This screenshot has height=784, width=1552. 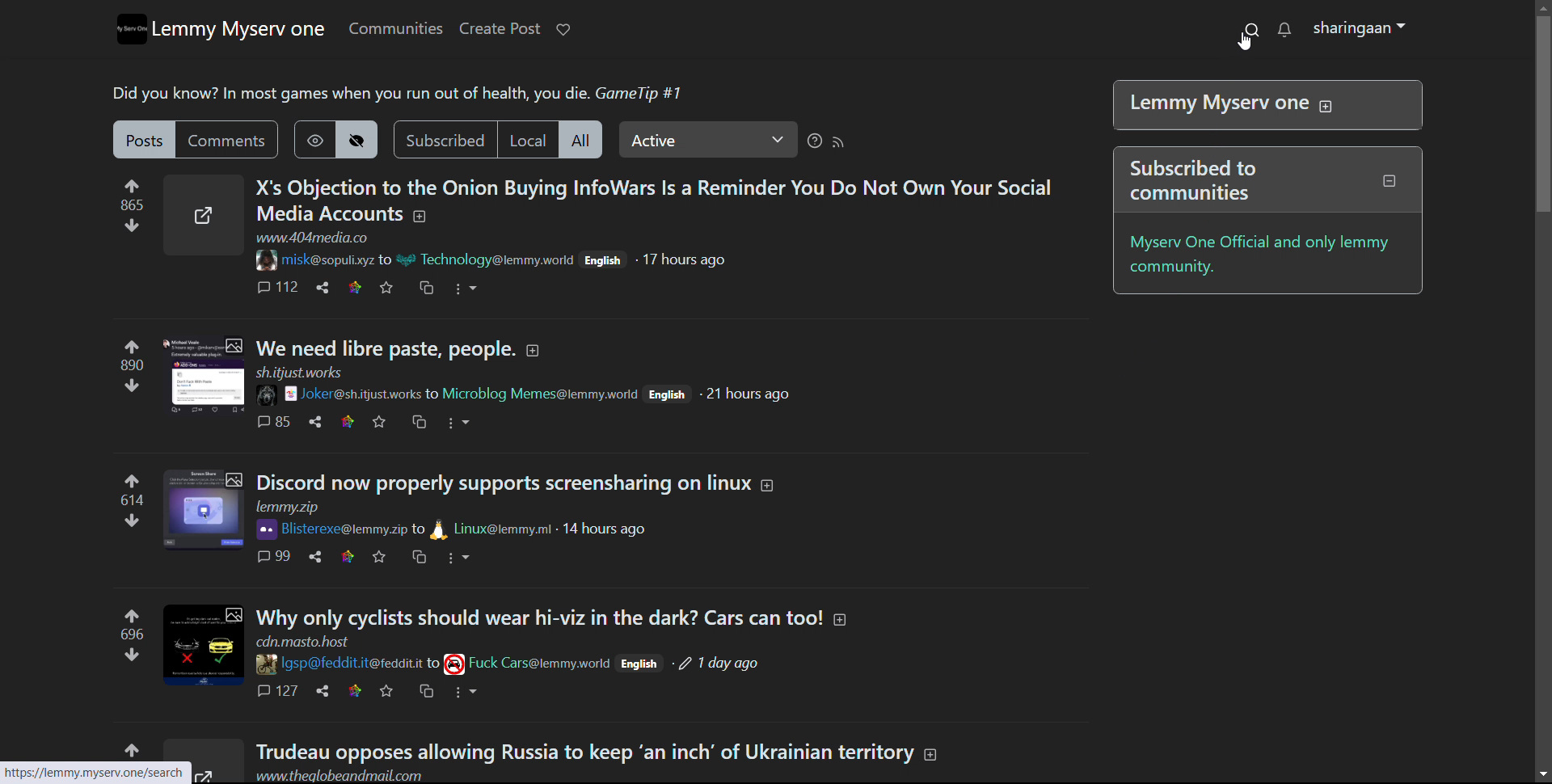 I want to click on Post on "We need libre paste, people.", so click(x=463, y=353).